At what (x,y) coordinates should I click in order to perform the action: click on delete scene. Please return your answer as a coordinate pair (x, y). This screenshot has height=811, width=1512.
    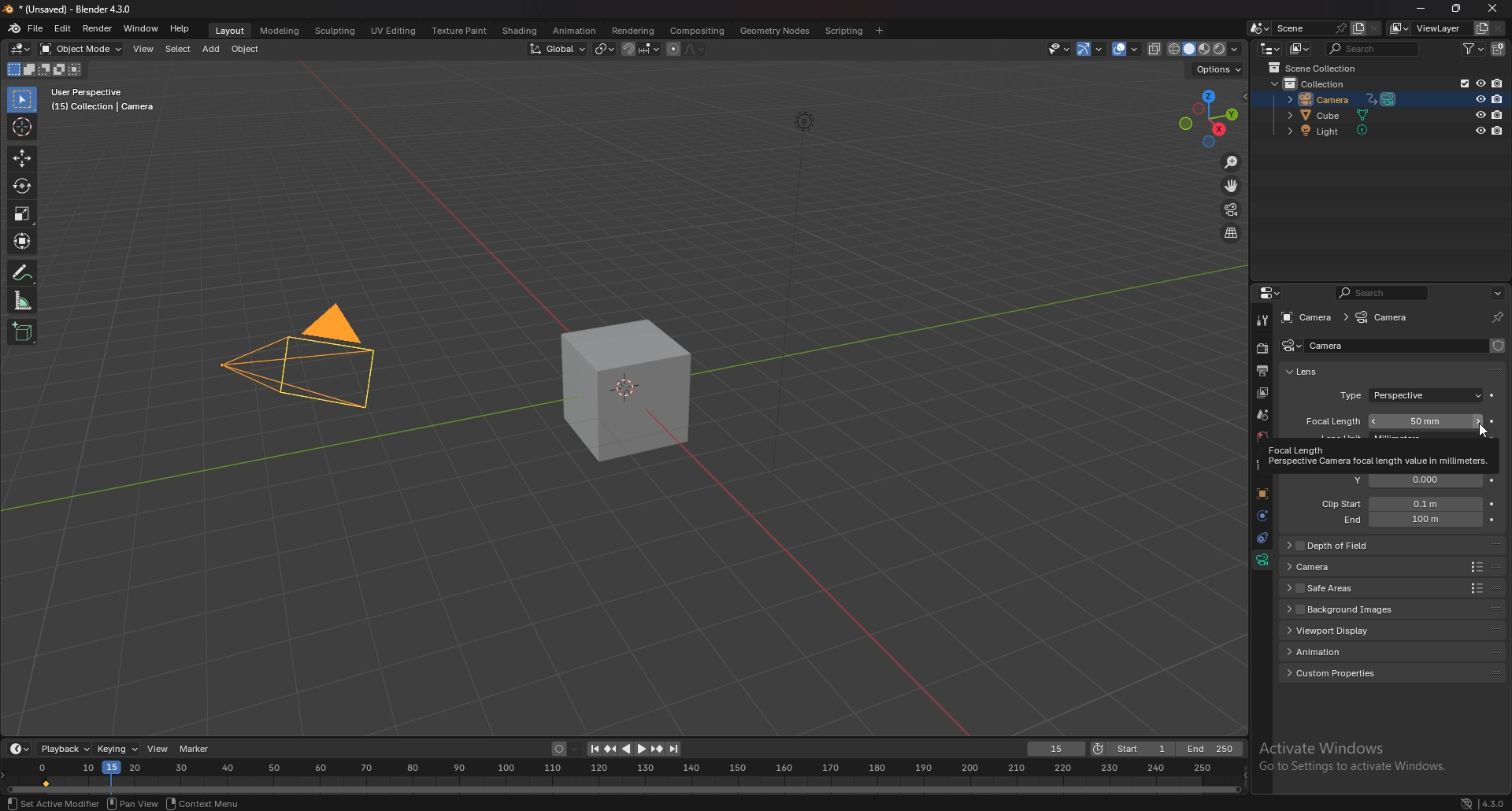
    Looking at the image, I should click on (1375, 28).